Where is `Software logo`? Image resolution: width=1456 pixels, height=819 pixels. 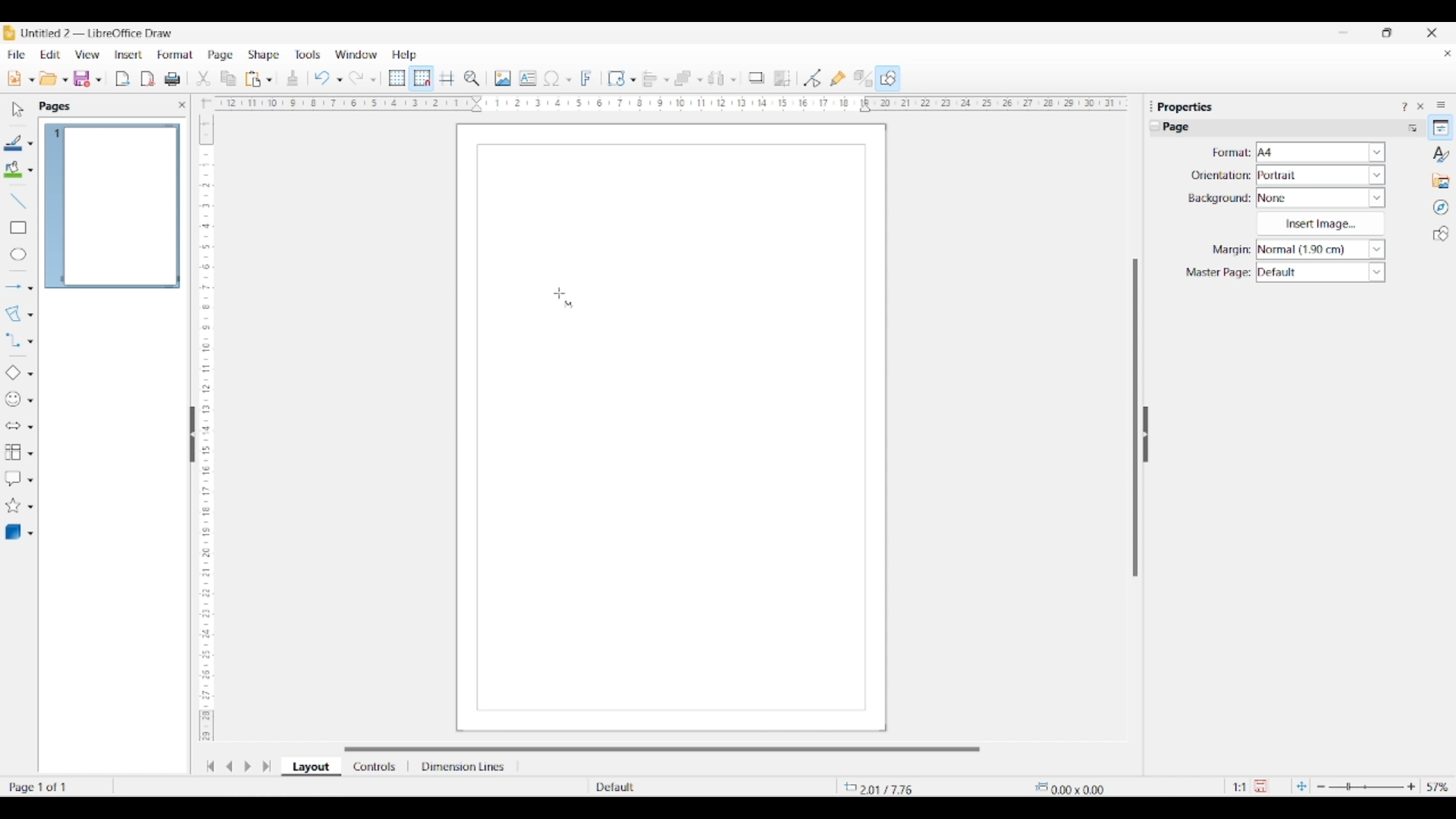
Software logo is located at coordinates (9, 33).